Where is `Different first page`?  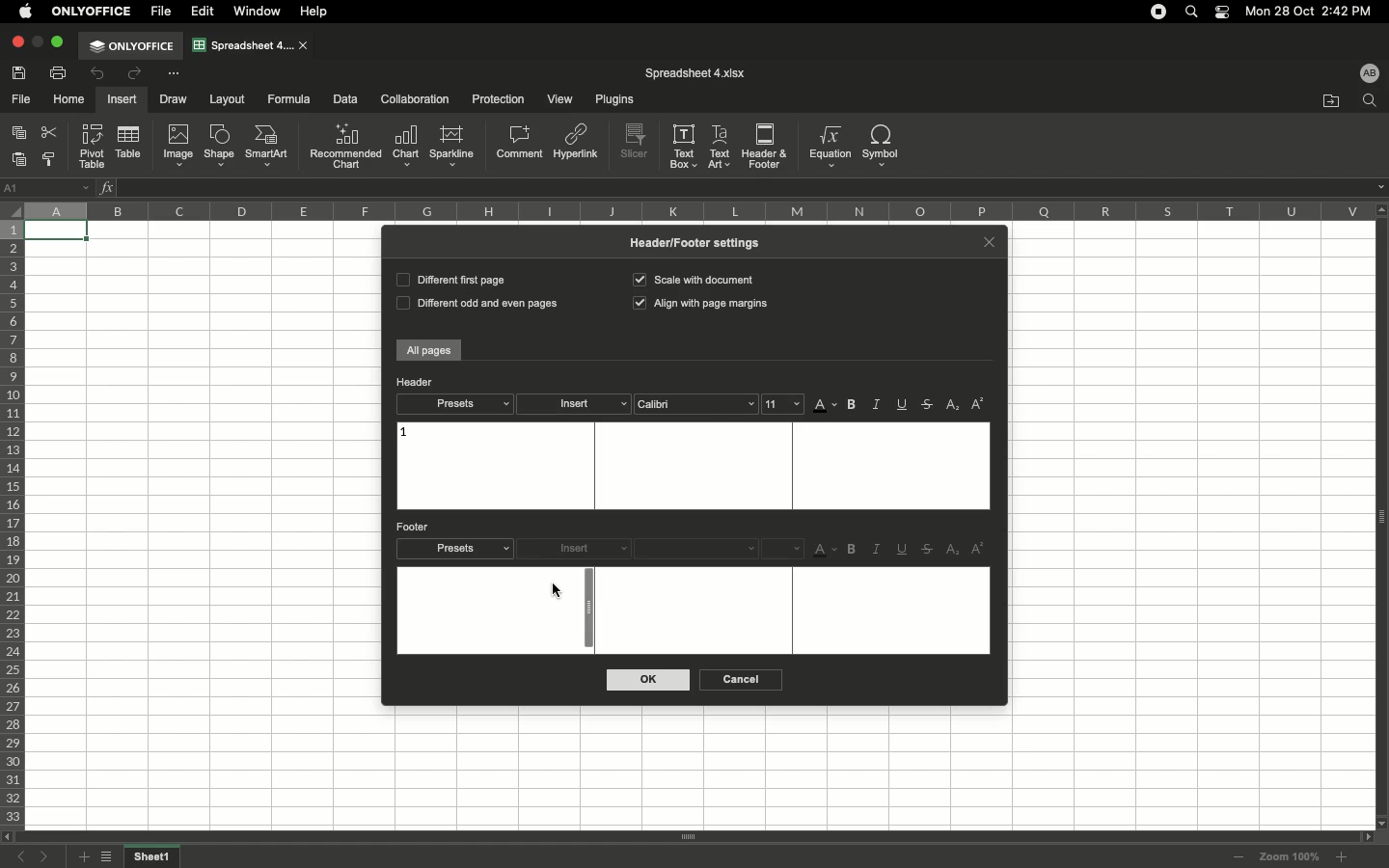 Different first page is located at coordinates (449, 279).